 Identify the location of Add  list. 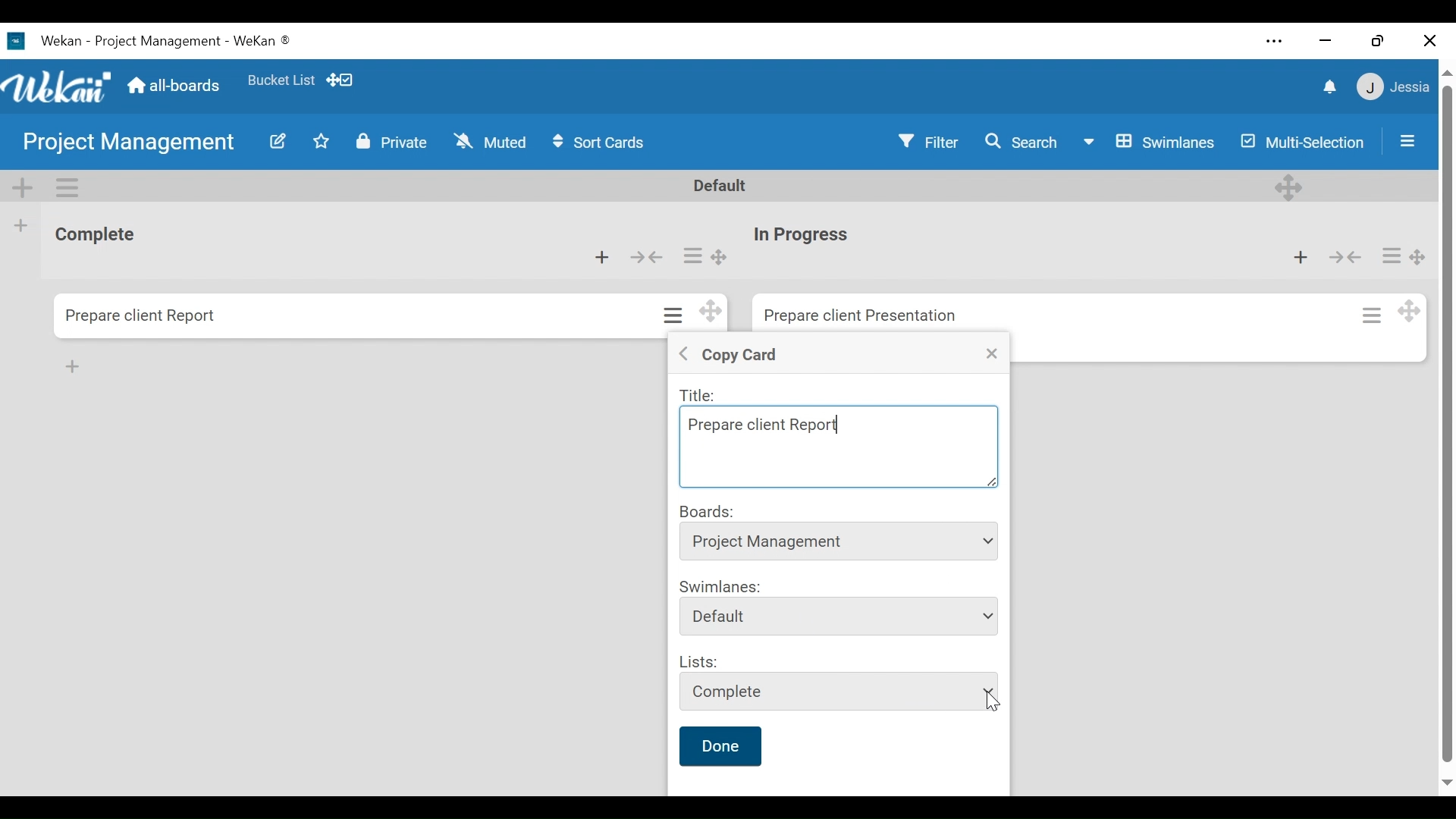
(20, 226).